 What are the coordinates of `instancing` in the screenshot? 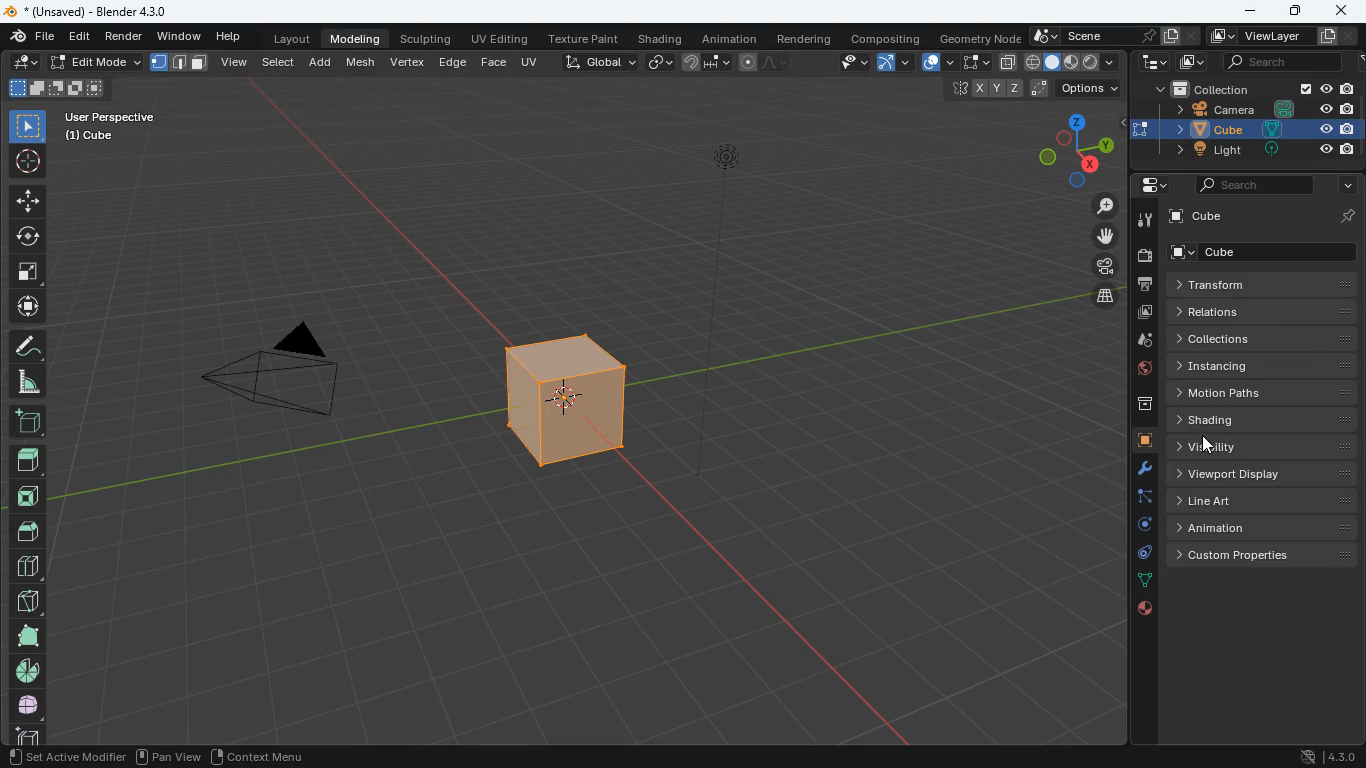 It's located at (1257, 366).